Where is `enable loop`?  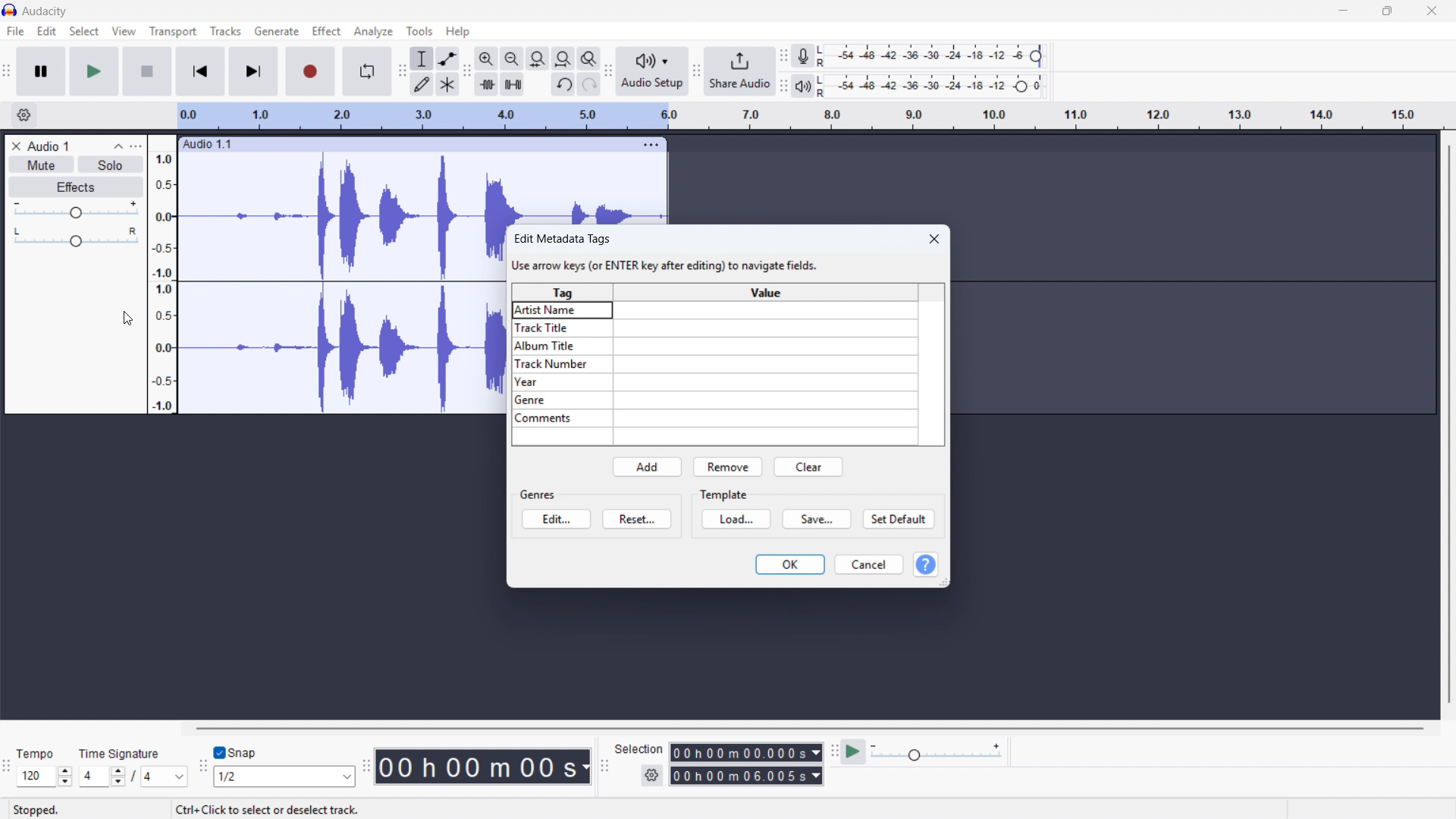
enable loop is located at coordinates (369, 71).